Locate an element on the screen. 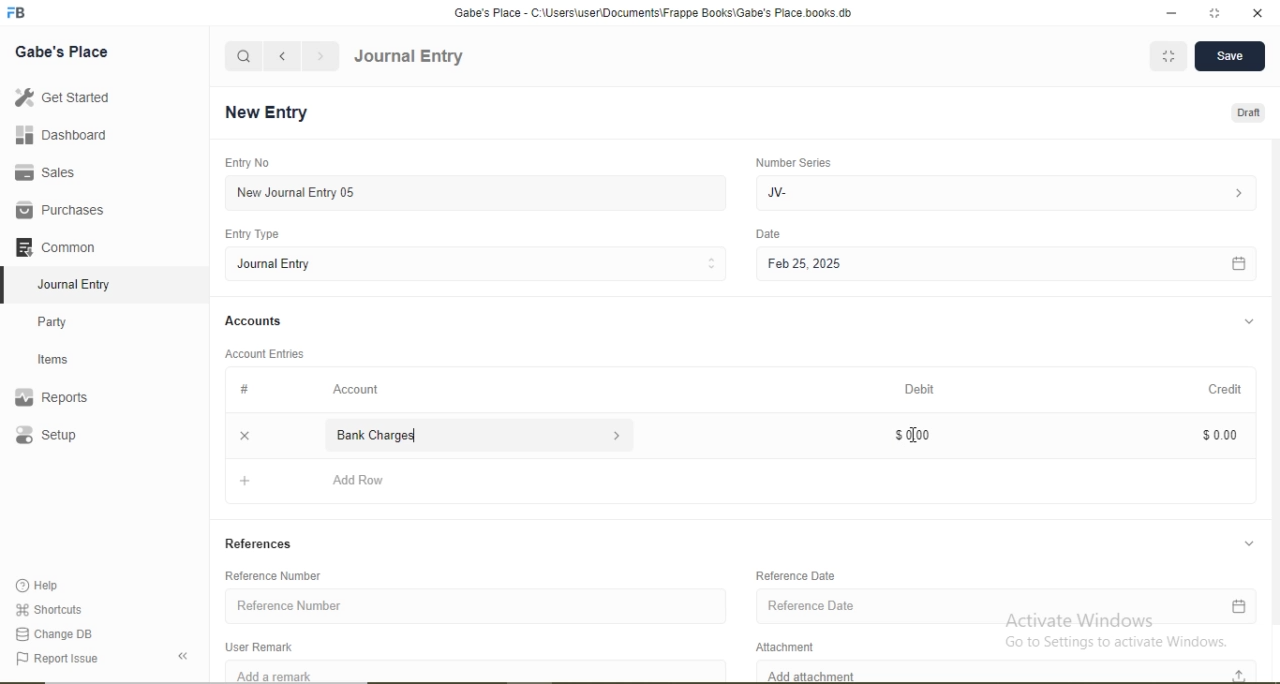 The image size is (1280, 684). Save is located at coordinates (1228, 57).